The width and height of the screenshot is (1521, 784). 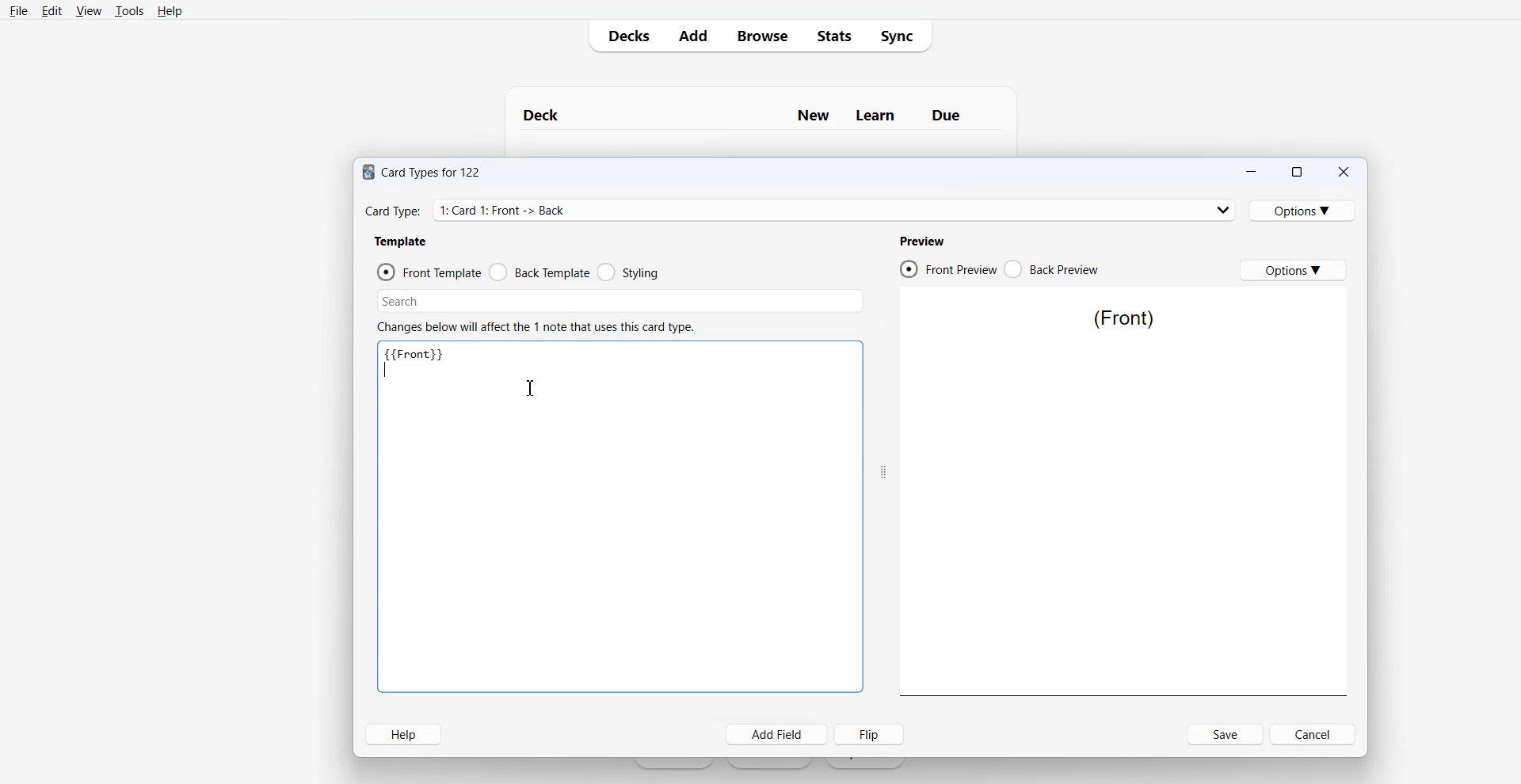 What do you see at coordinates (533, 388) in the screenshot?
I see `Text Cursor` at bounding box center [533, 388].